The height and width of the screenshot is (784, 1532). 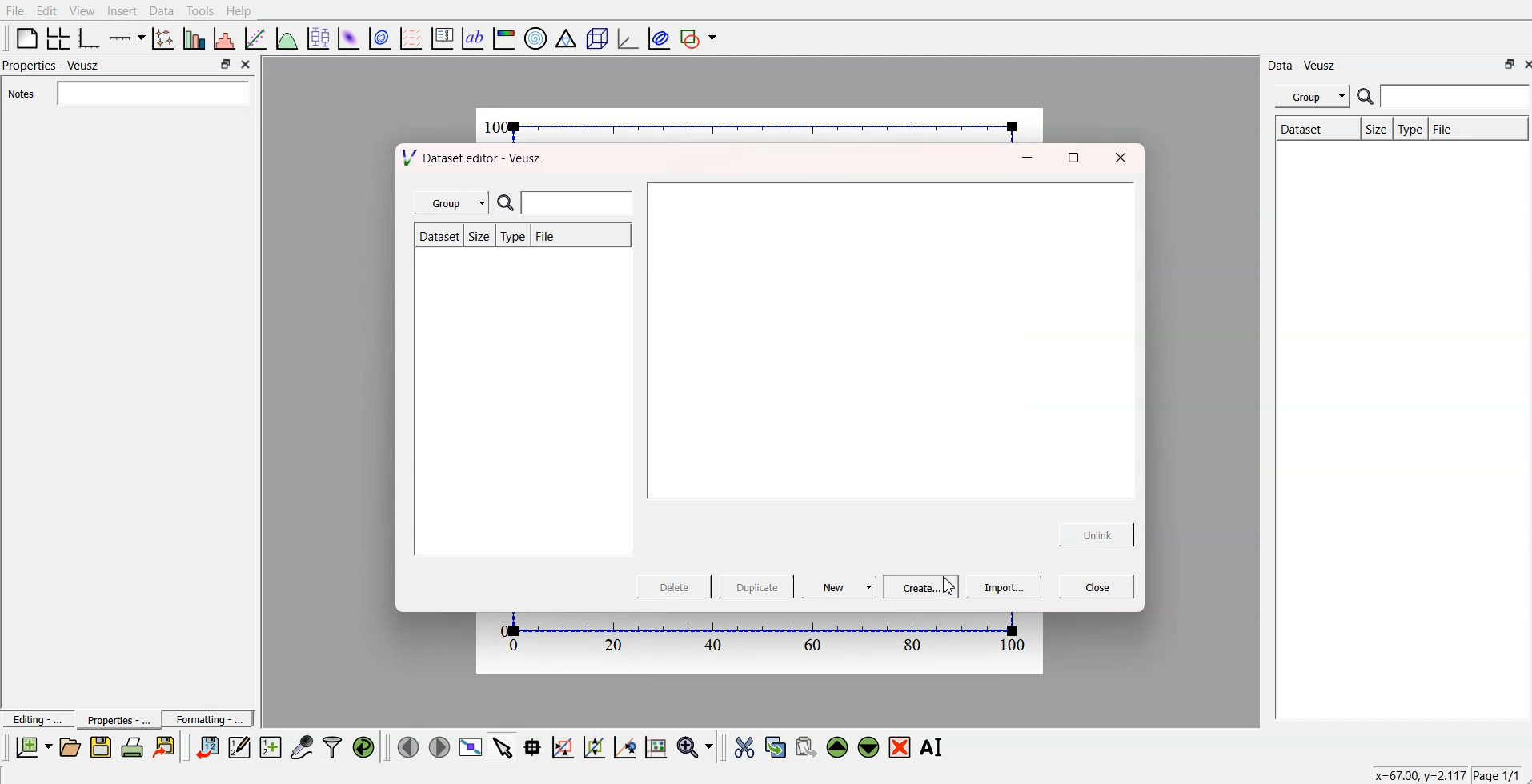 What do you see at coordinates (839, 746) in the screenshot?
I see `move up` at bounding box center [839, 746].